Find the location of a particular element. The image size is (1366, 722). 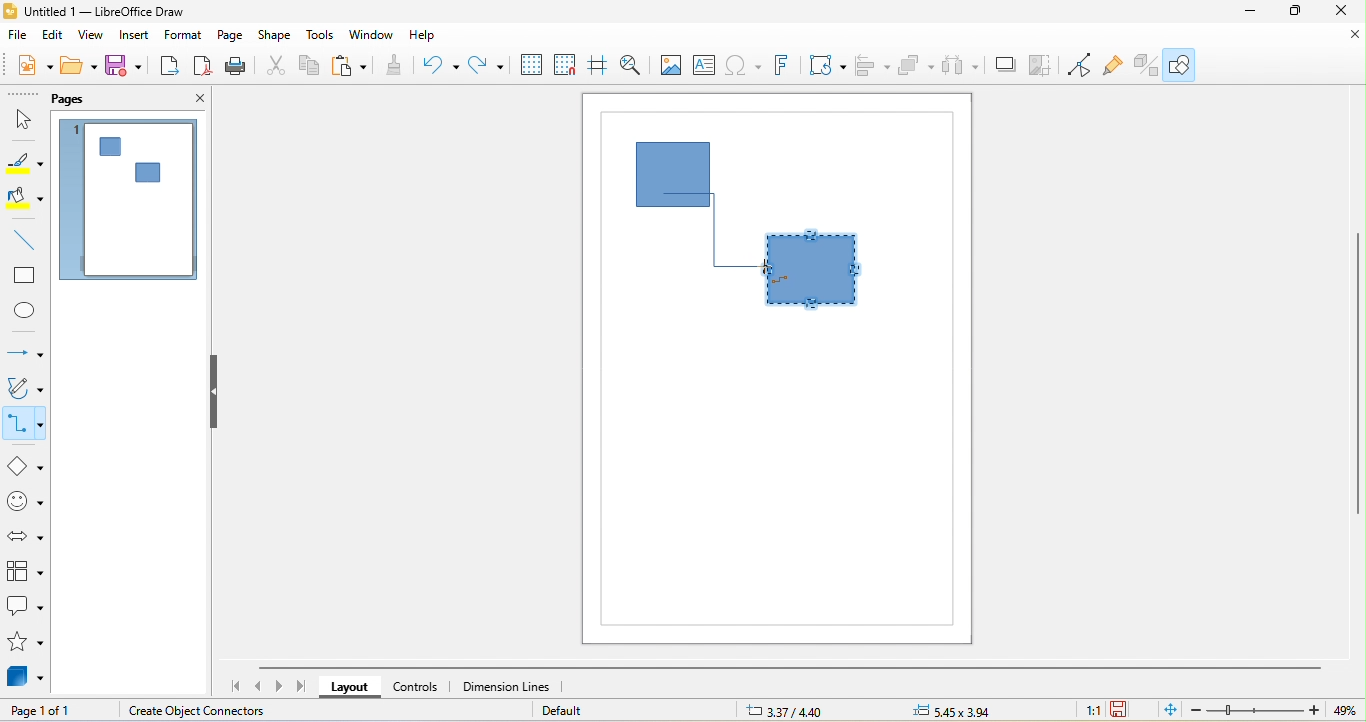

close is located at coordinates (1351, 34).